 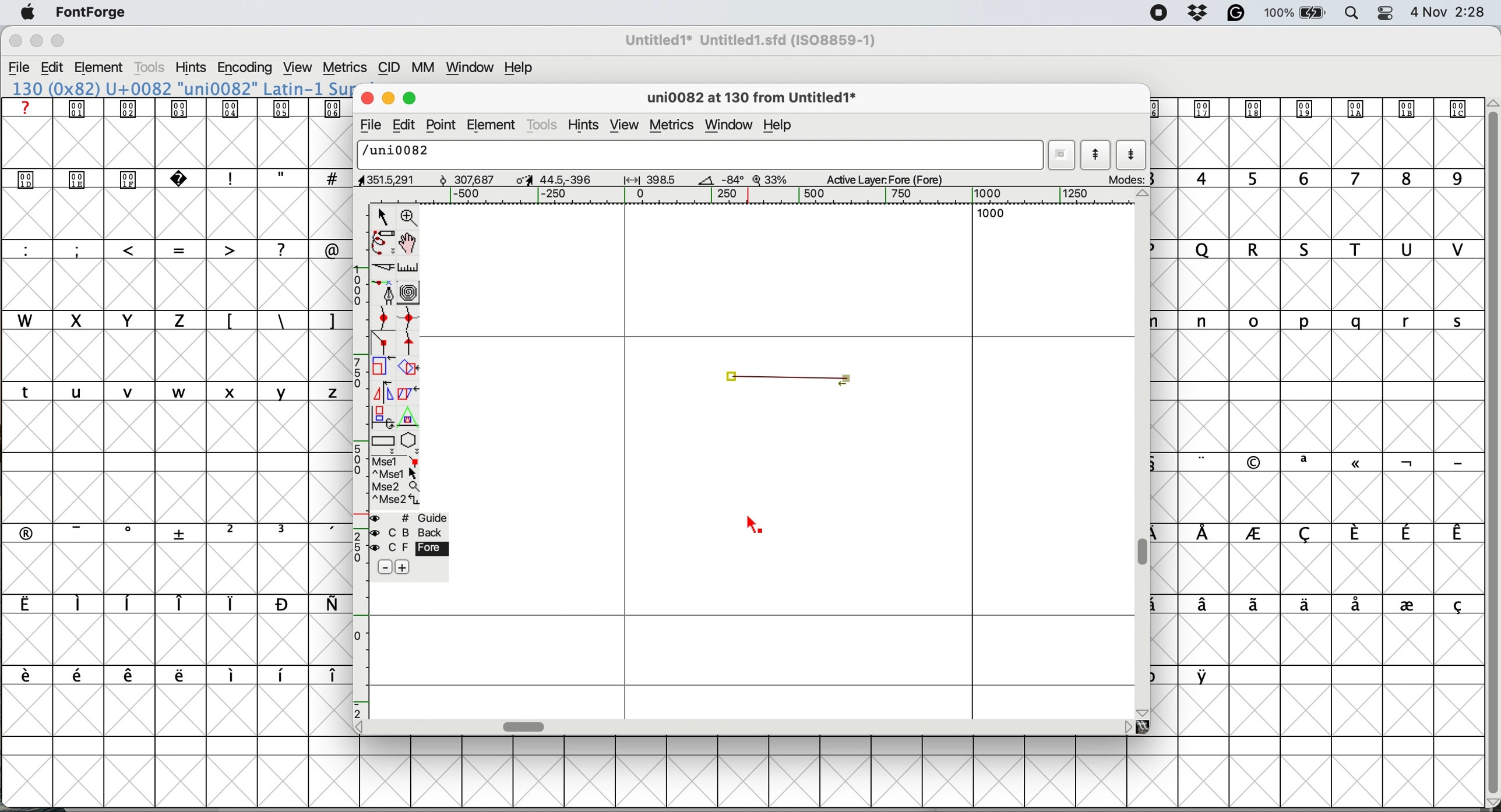 What do you see at coordinates (410, 343) in the screenshot?
I see `add a tangent point` at bounding box center [410, 343].